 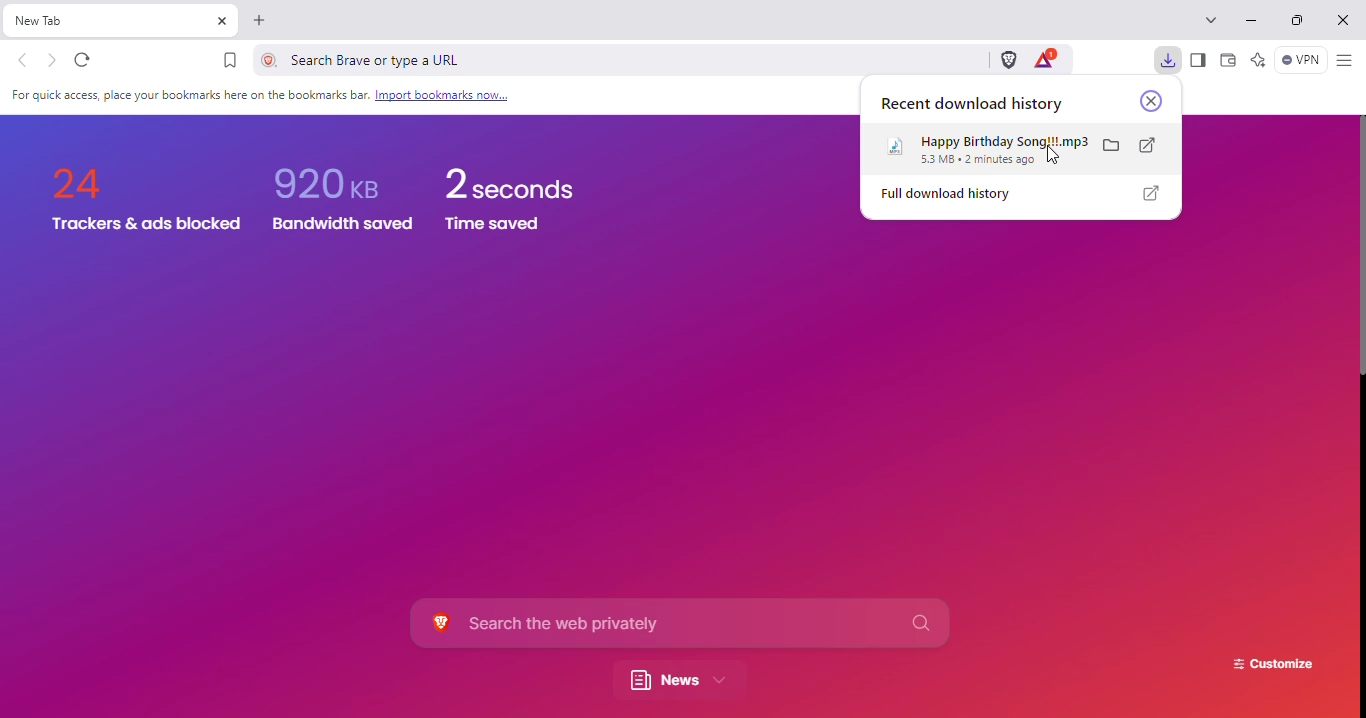 I want to click on Link, so click(x=442, y=95).